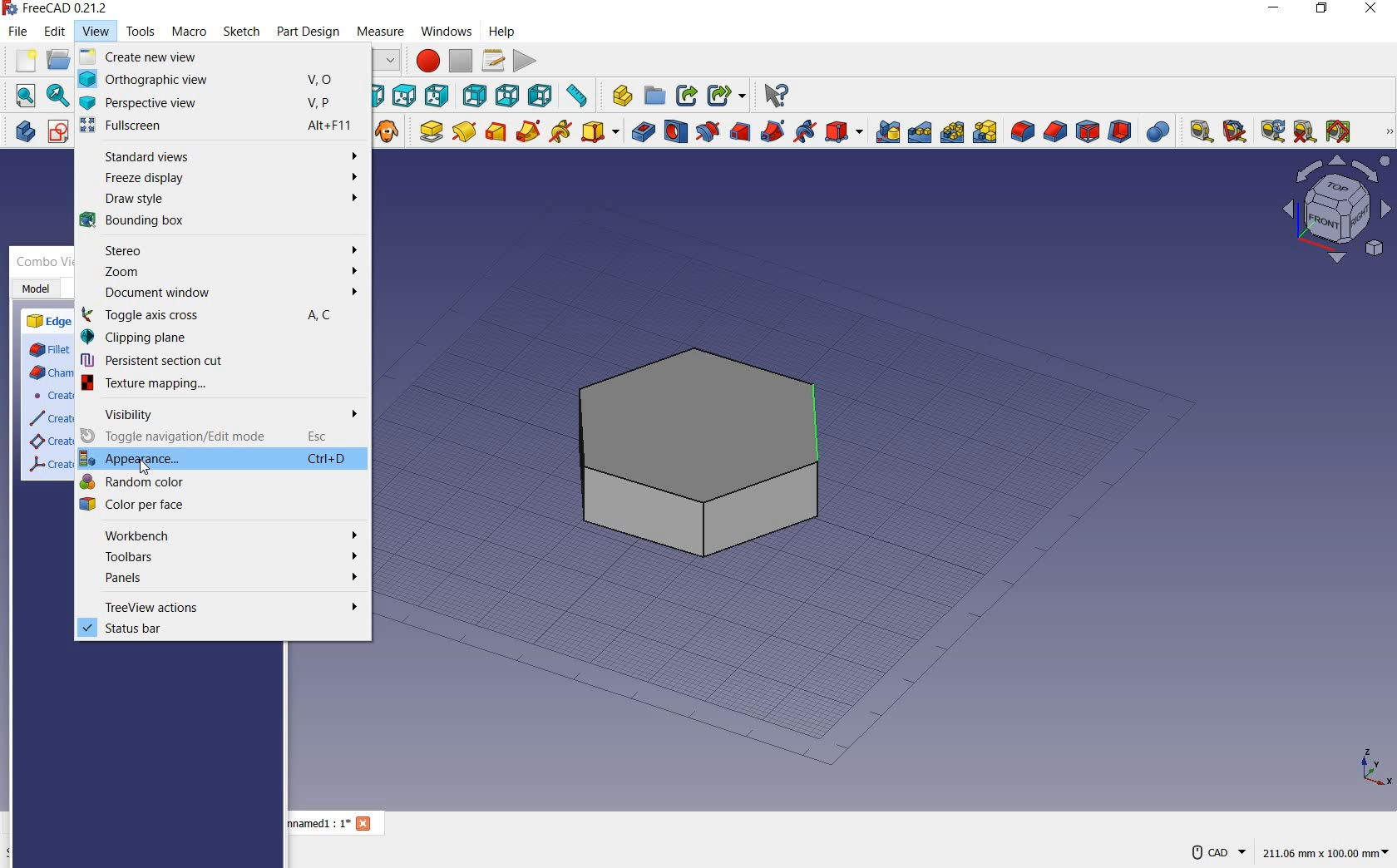 The image size is (1397, 868). What do you see at coordinates (225, 316) in the screenshot?
I see `toggle axis cross A,C` at bounding box center [225, 316].